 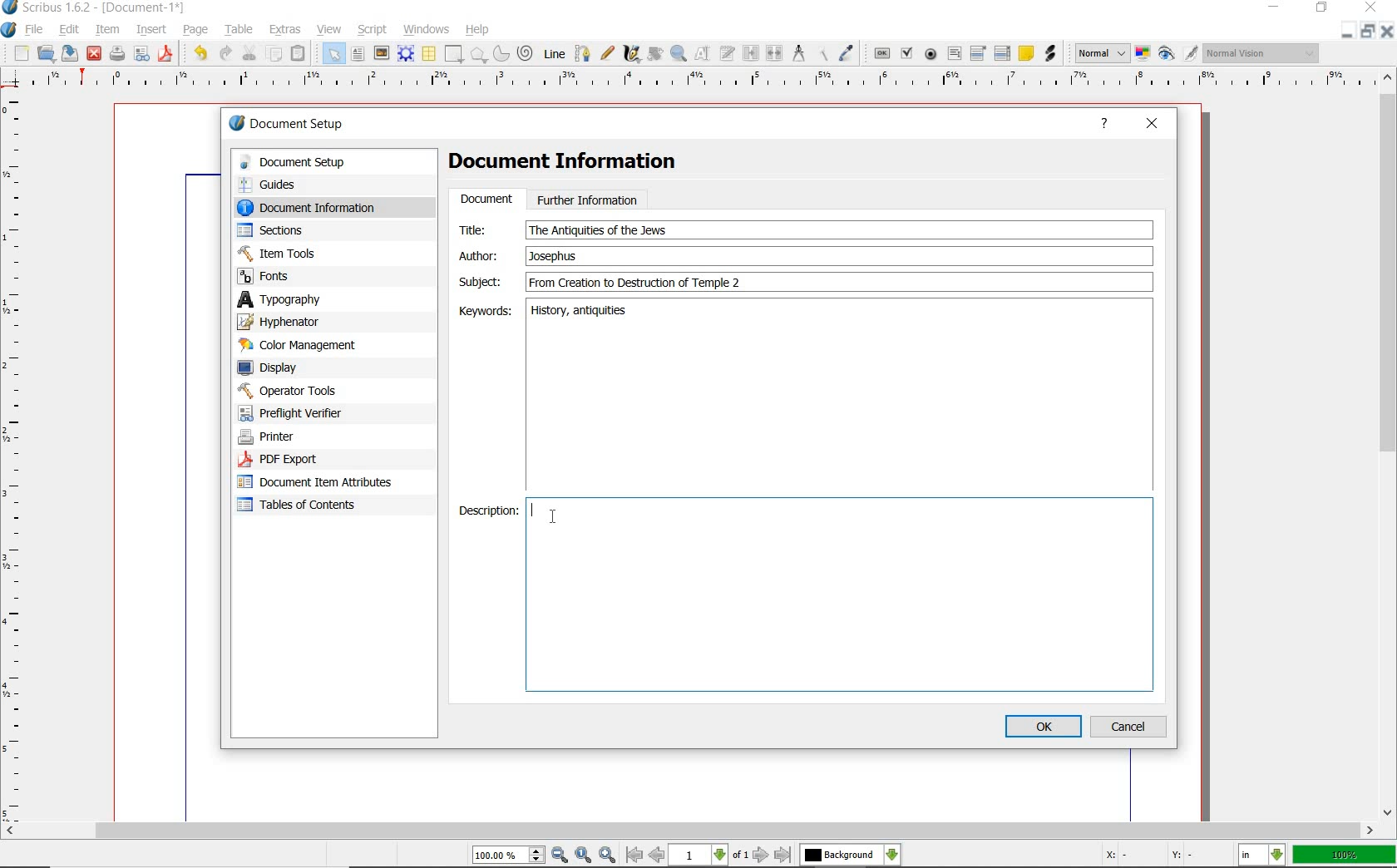 What do you see at coordinates (1371, 7) in the screenshot?
I see `minimize` at bounding box center [1371, 7].